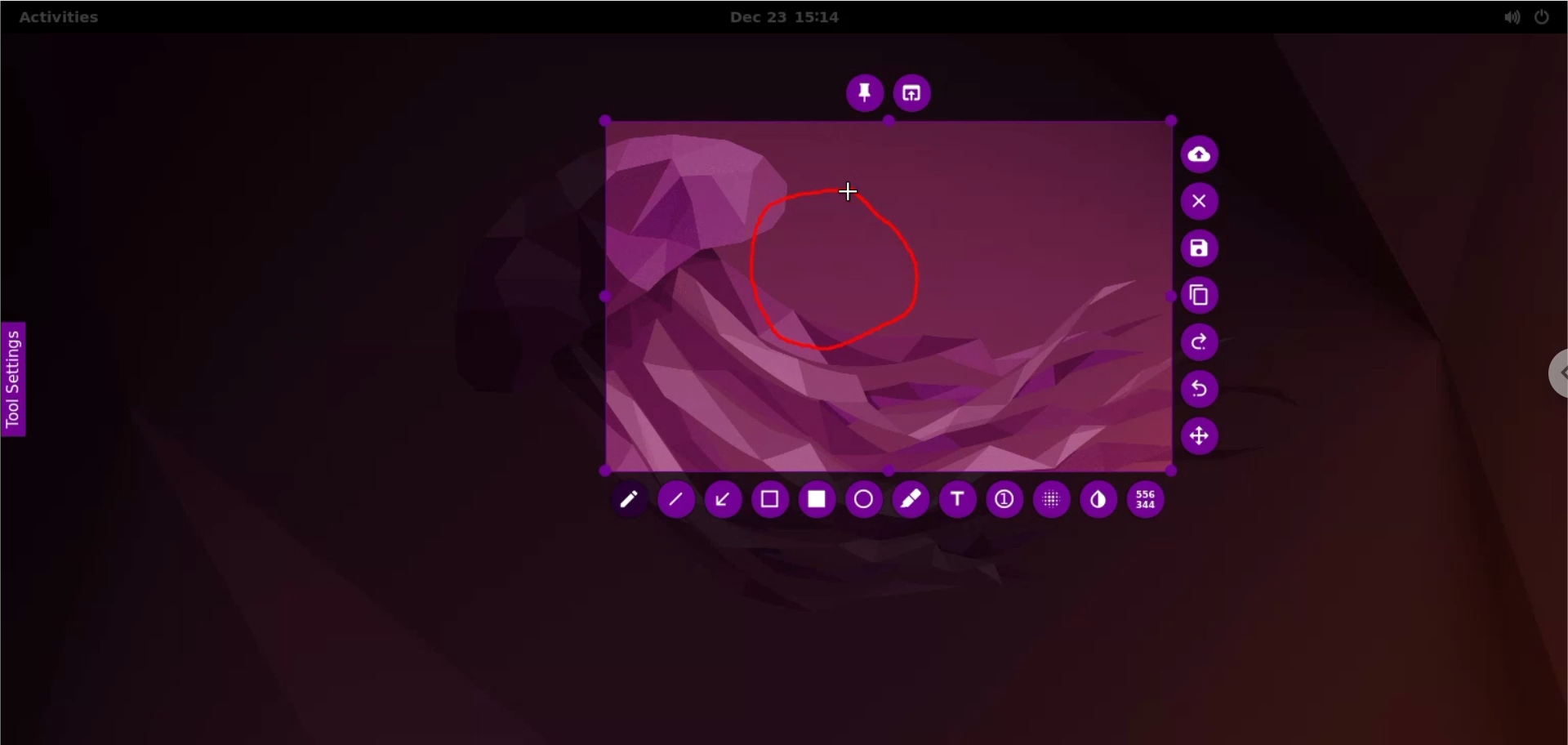  I want to click on chrome options, so click(1545, 372).